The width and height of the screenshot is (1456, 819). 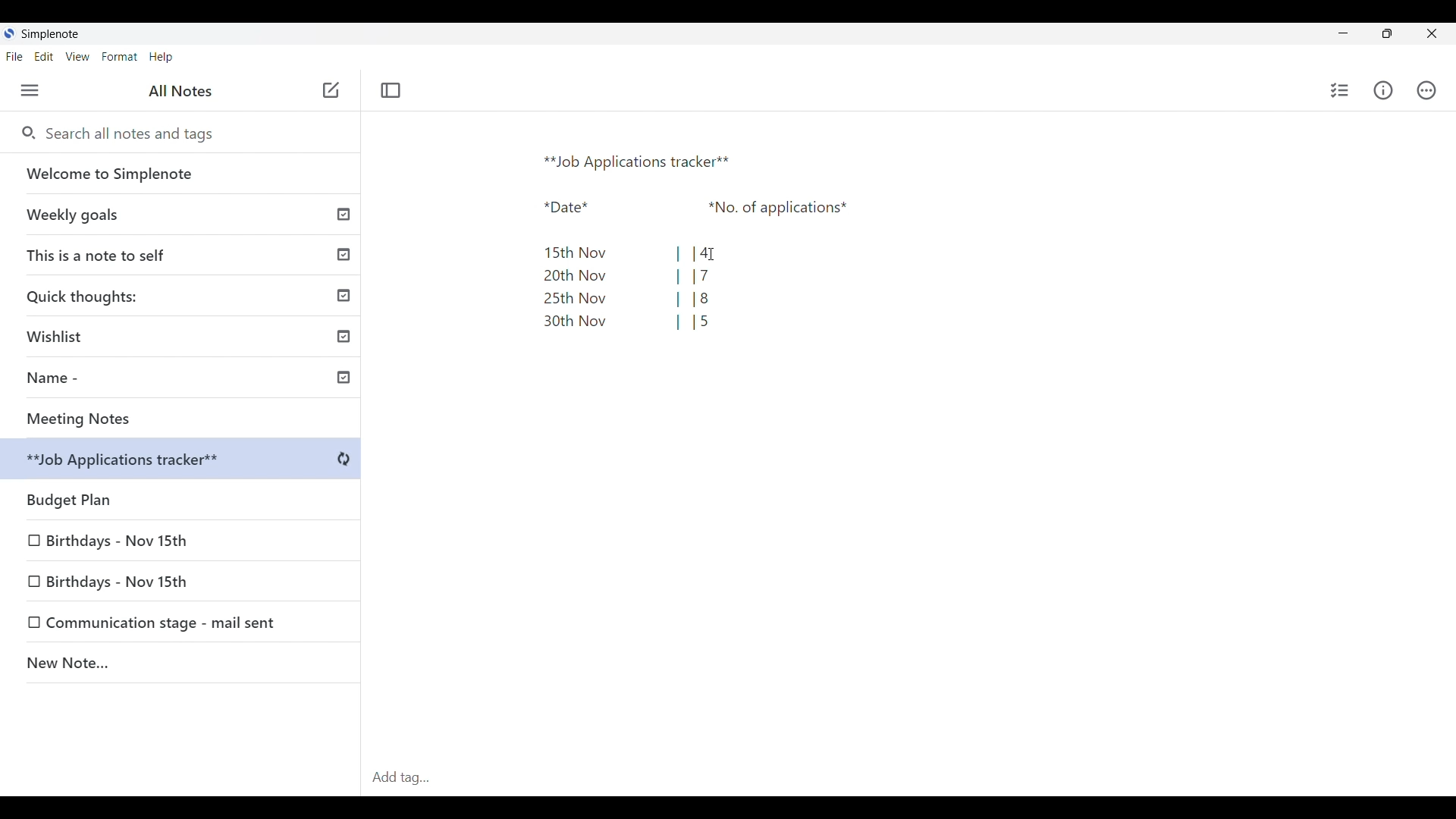 I want to click on Edit, so click(x=44, y=56).